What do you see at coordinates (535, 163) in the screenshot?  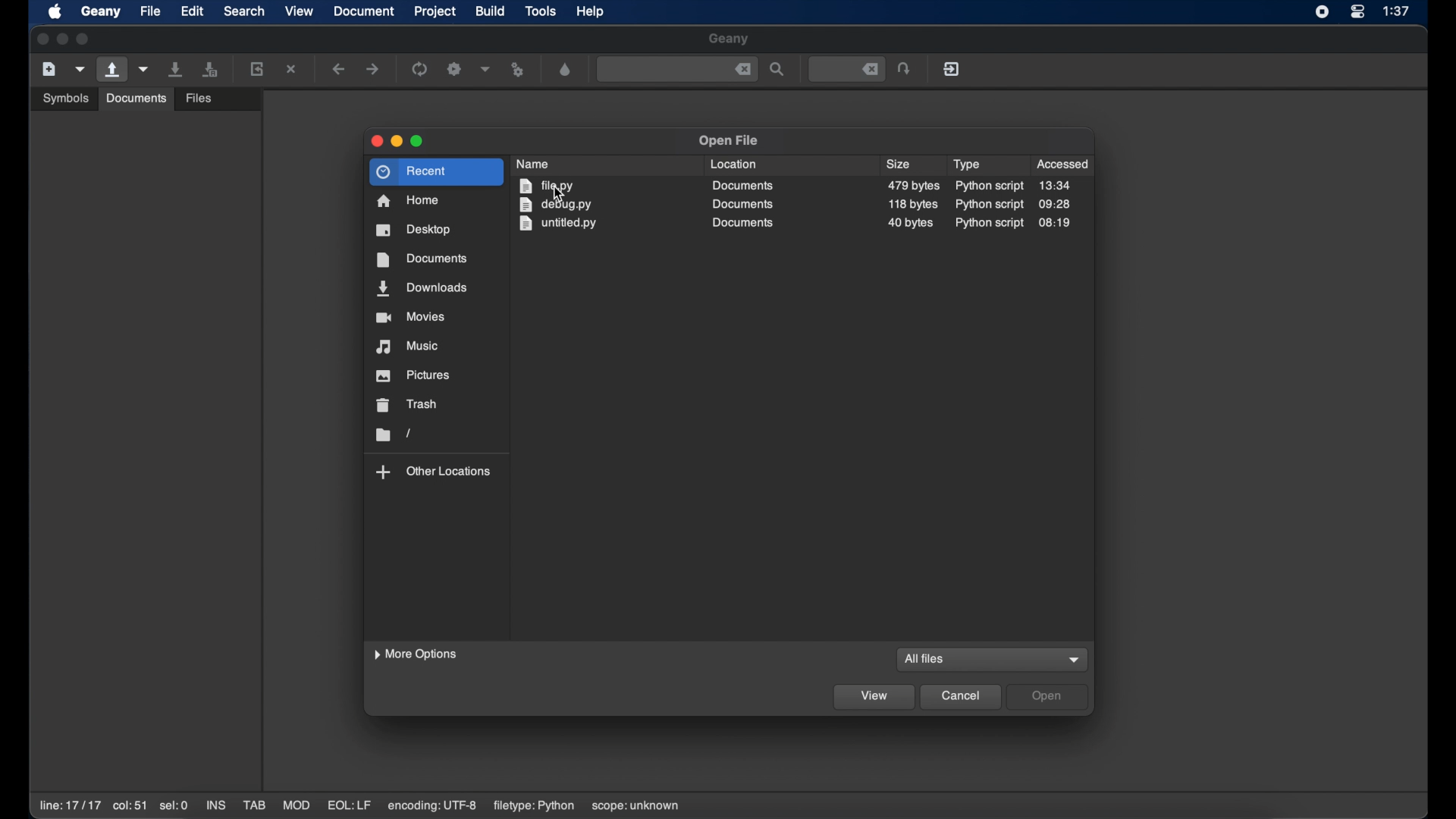 I see `name` at bounding box center [535, 163].